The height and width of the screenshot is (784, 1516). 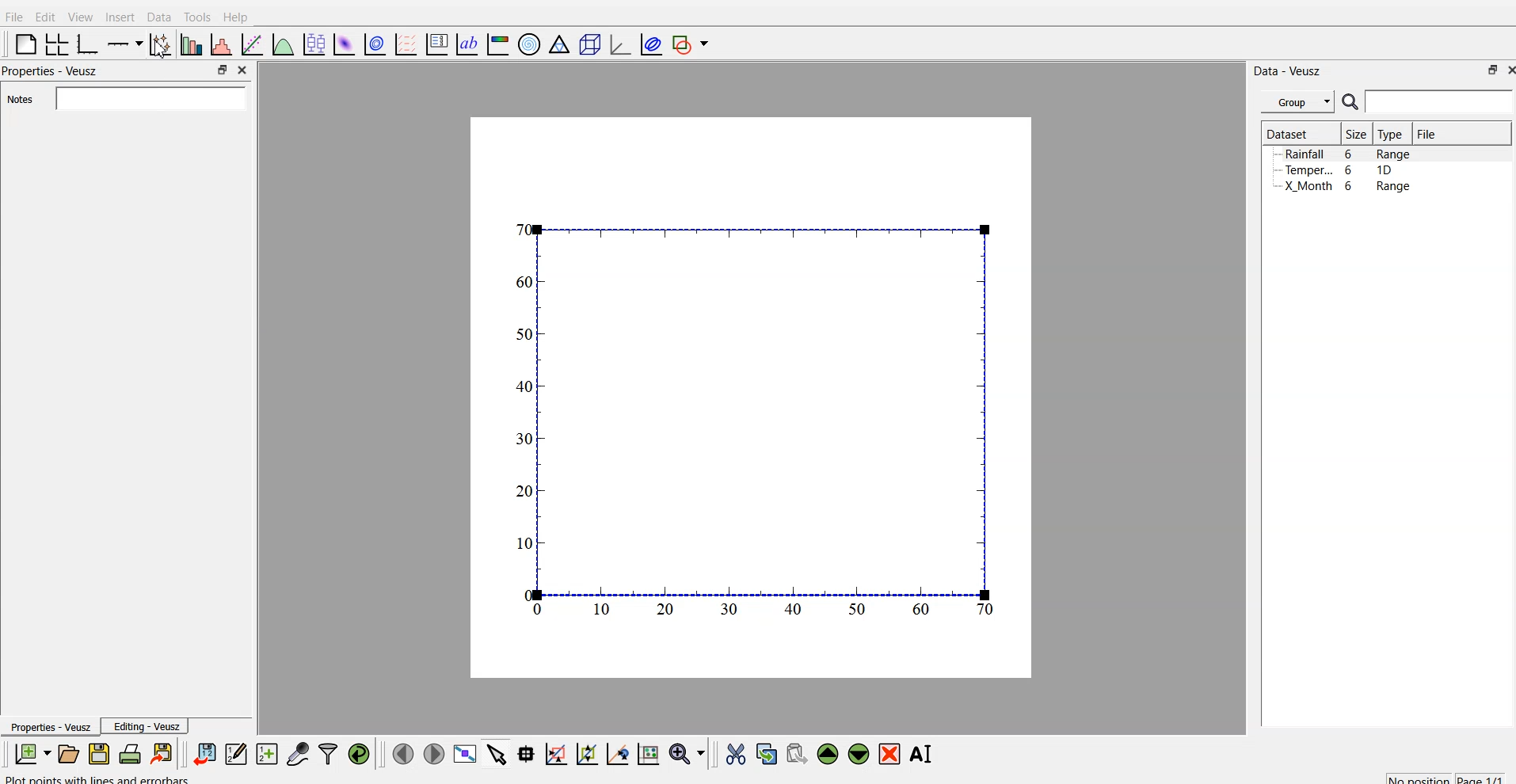 I want to click on plot dataset, so click(x=342, y=44).